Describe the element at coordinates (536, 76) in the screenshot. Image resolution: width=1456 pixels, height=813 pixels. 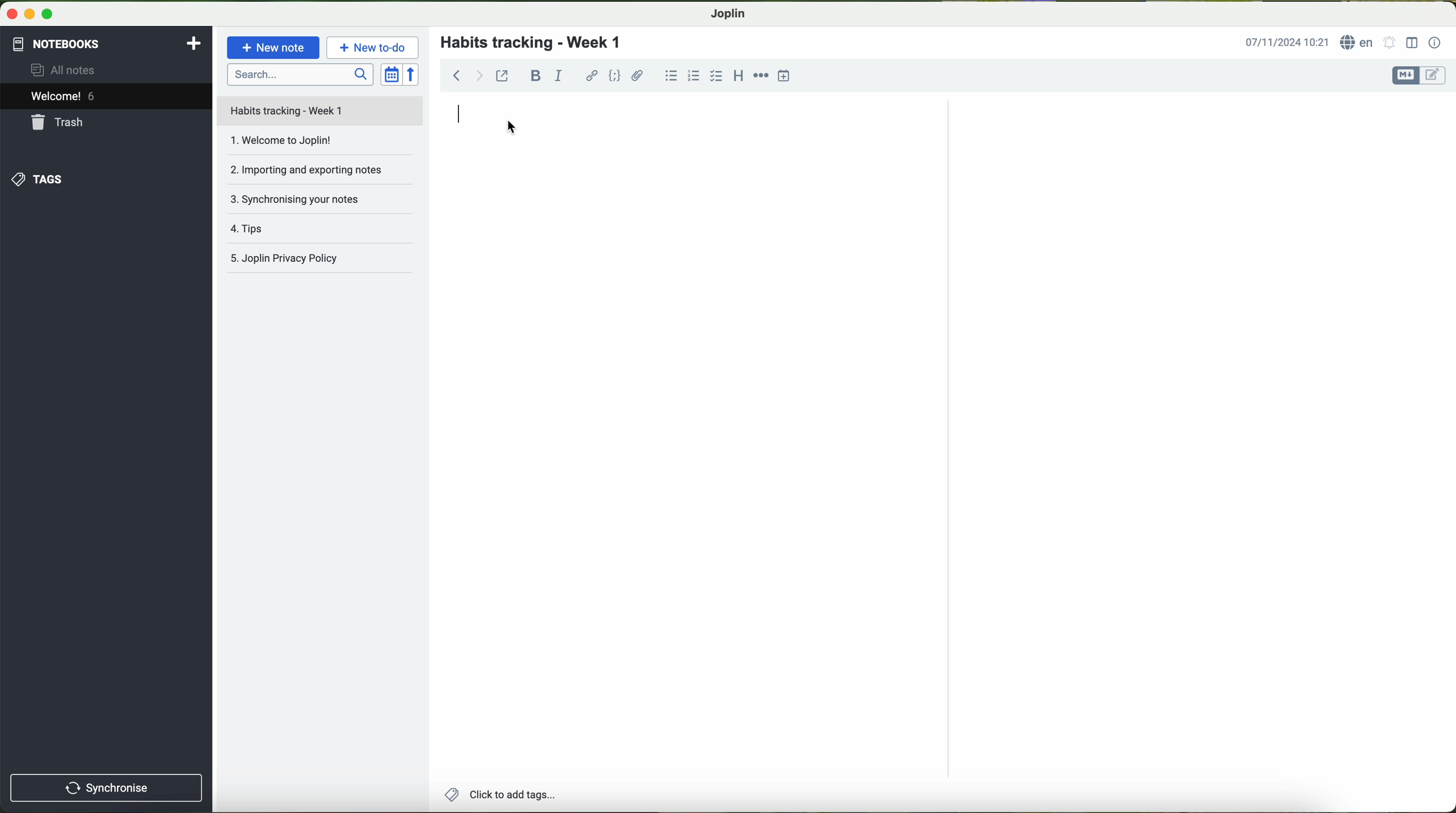
I see `bold` at that location.